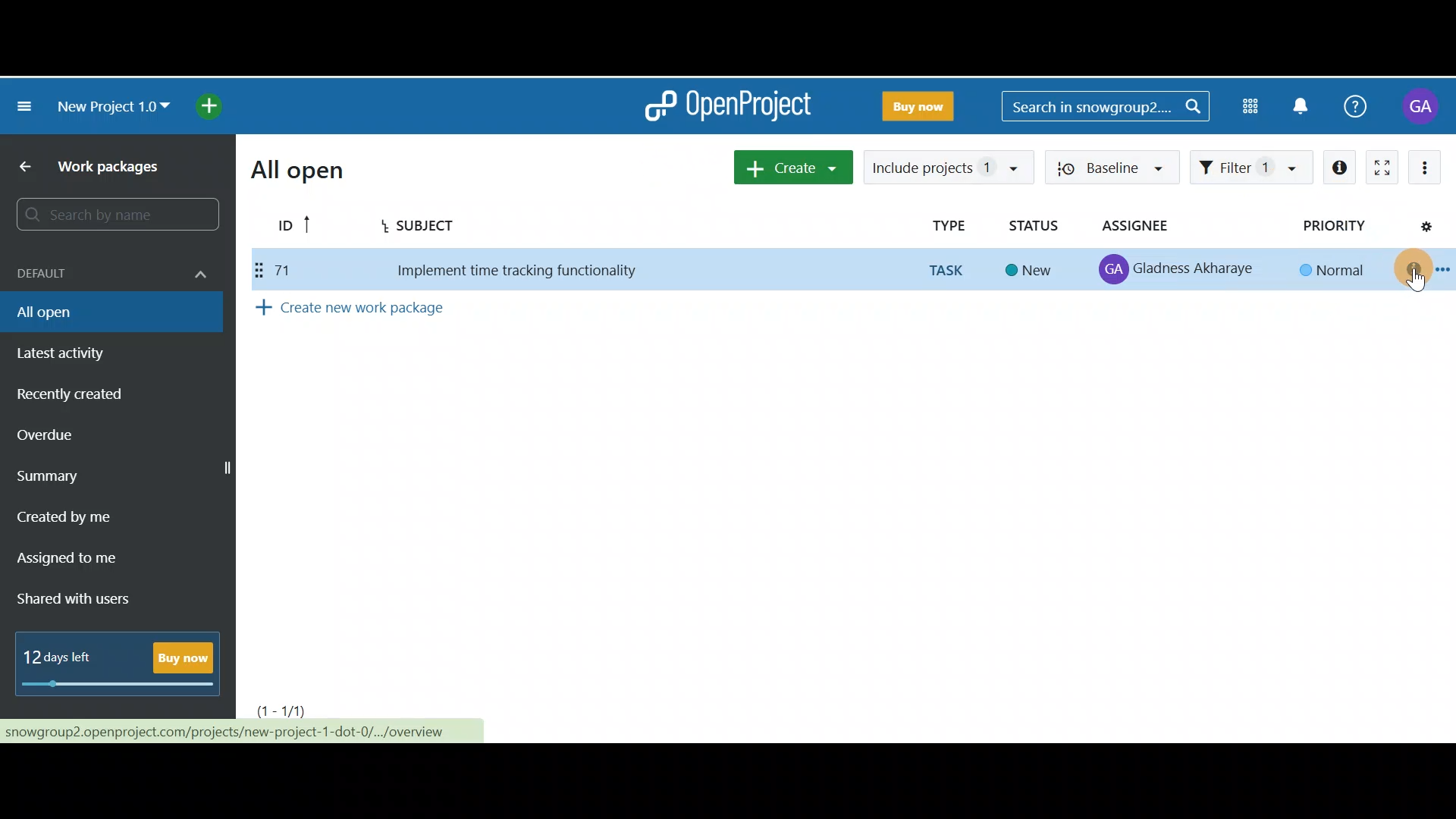 The width and height of the screenshot is (1456, 819). What do you see at coordinates (937, 270) in the screenshot?
I see `TASK` at bounding box center [937, 270].